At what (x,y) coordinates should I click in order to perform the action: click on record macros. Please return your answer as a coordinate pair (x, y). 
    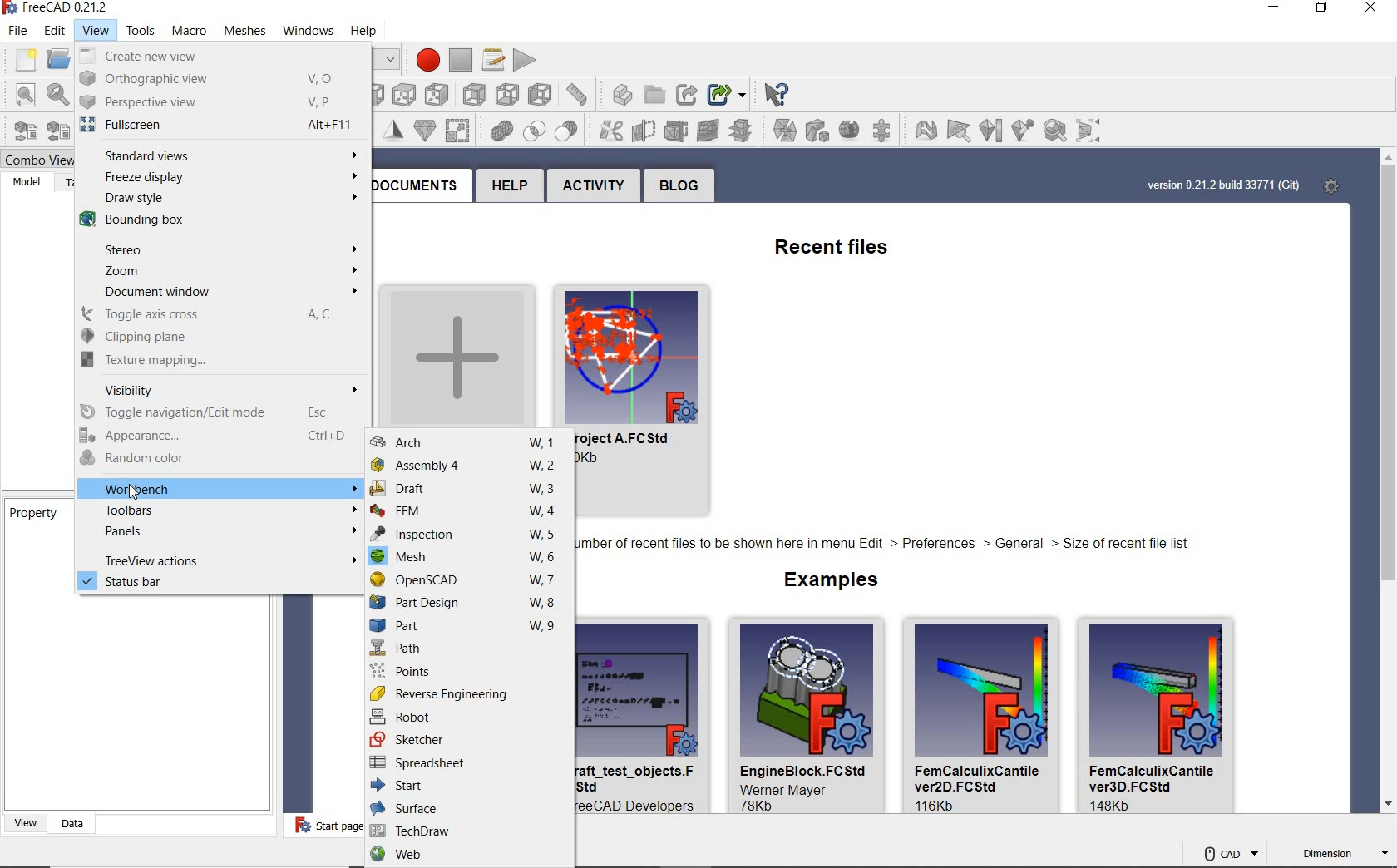
    Looking at the image, I should click on (427, 56).